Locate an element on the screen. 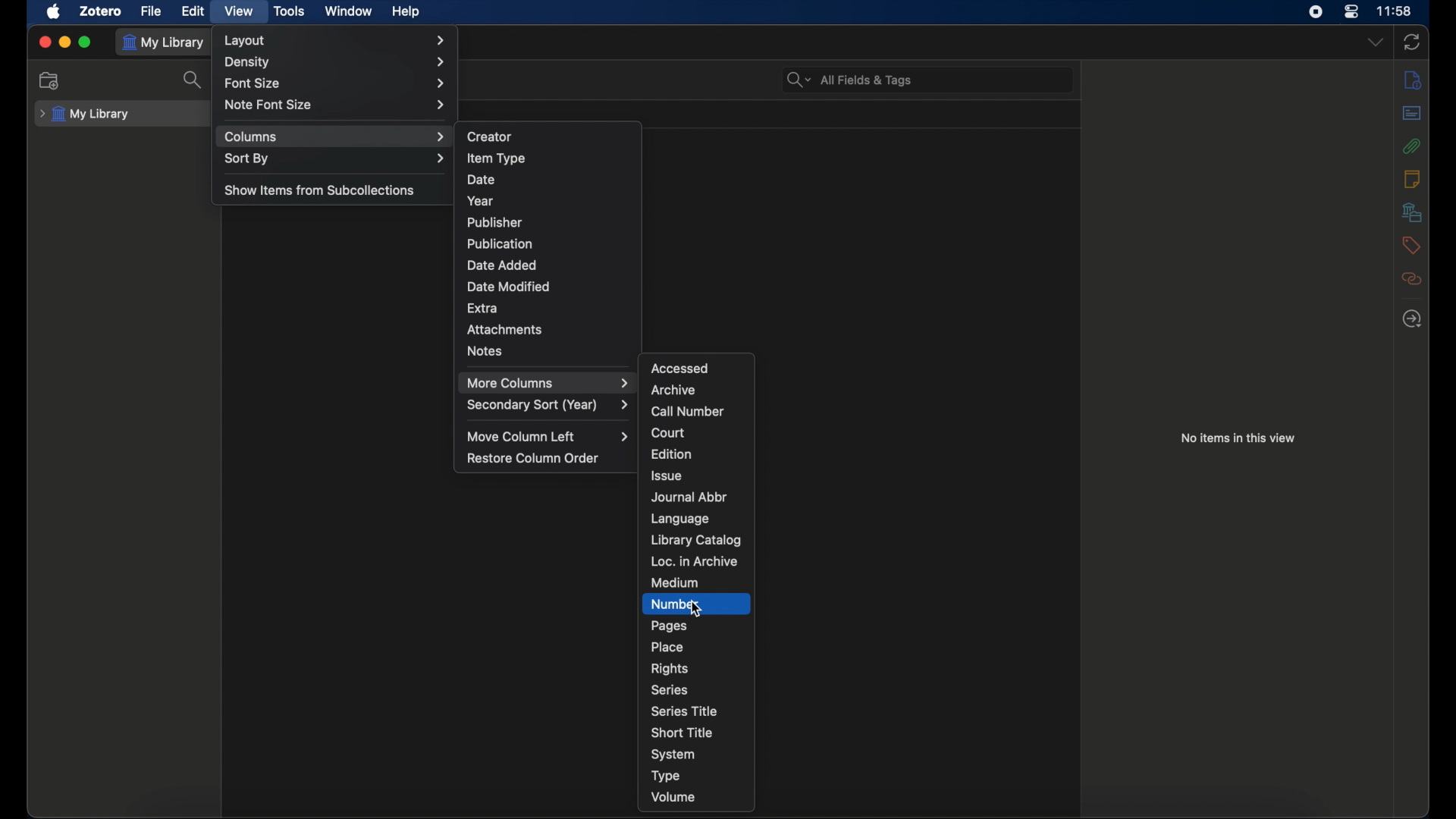 Image resolution: width=1456 pixels, height=819 pixels. edition is located at coordinates (670, 453).